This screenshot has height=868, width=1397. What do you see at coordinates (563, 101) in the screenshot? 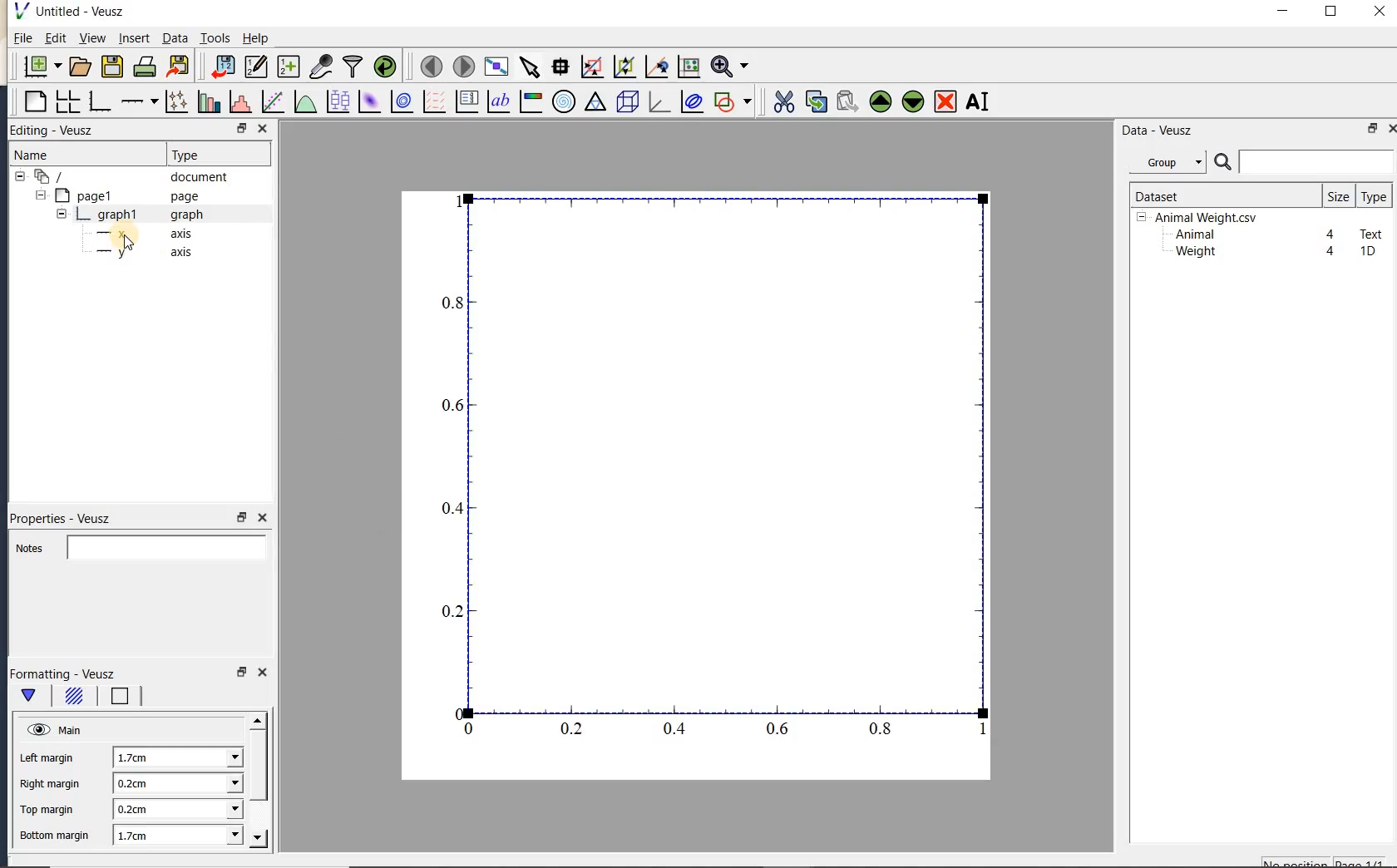
I see `polar graph` at bounding box center [563, 101].